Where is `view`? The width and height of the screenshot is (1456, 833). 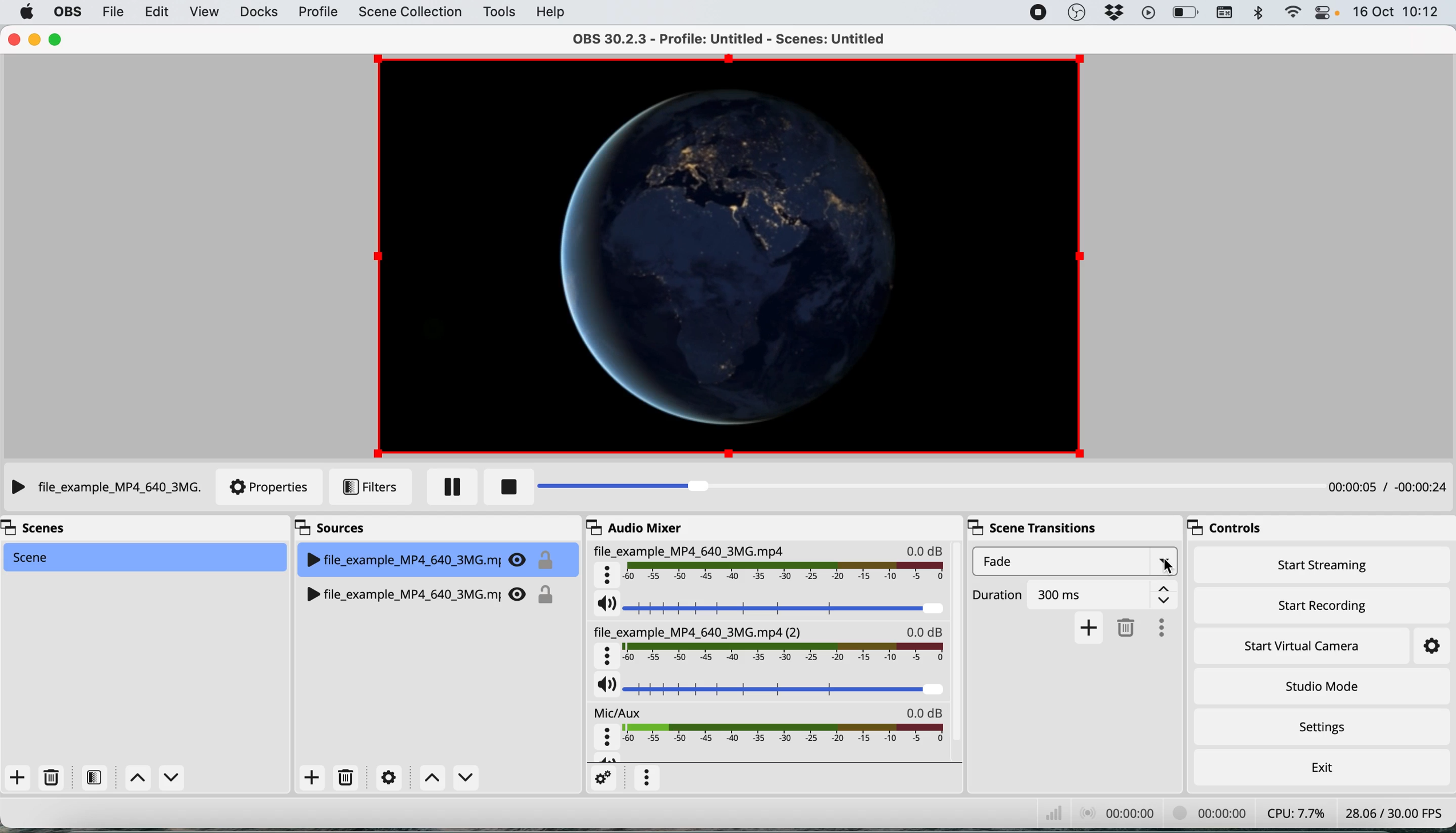 view is located at coordinates (205, 13).